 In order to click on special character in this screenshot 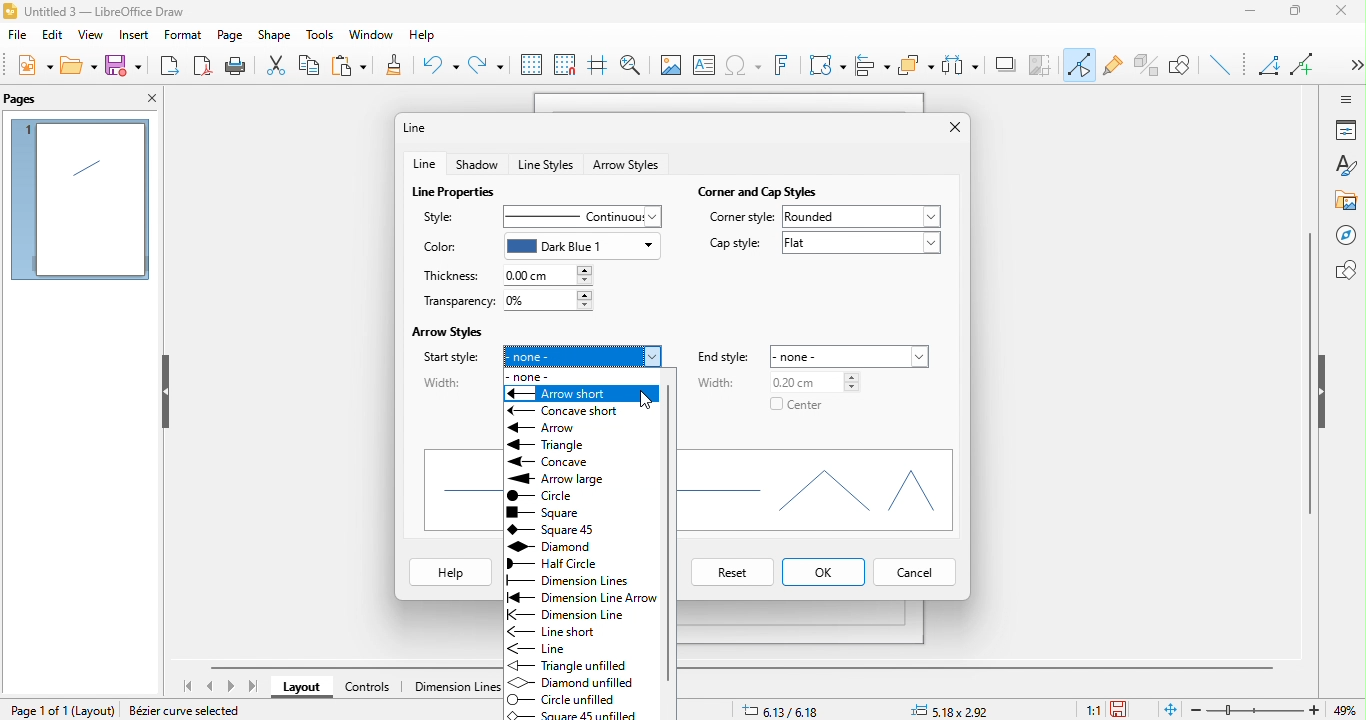, I will do `click(746, 67)`.